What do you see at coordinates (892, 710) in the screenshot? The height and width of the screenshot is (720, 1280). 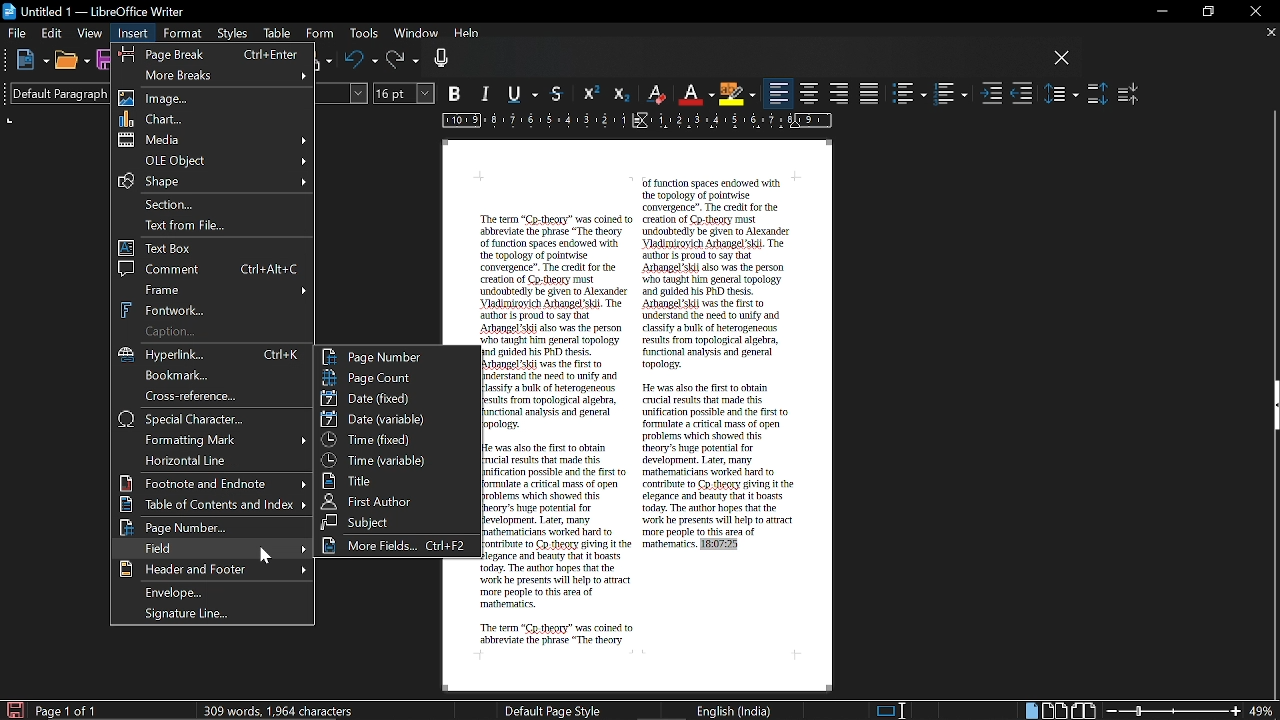 I see `Standard selection` at bounding box center [892, 710].